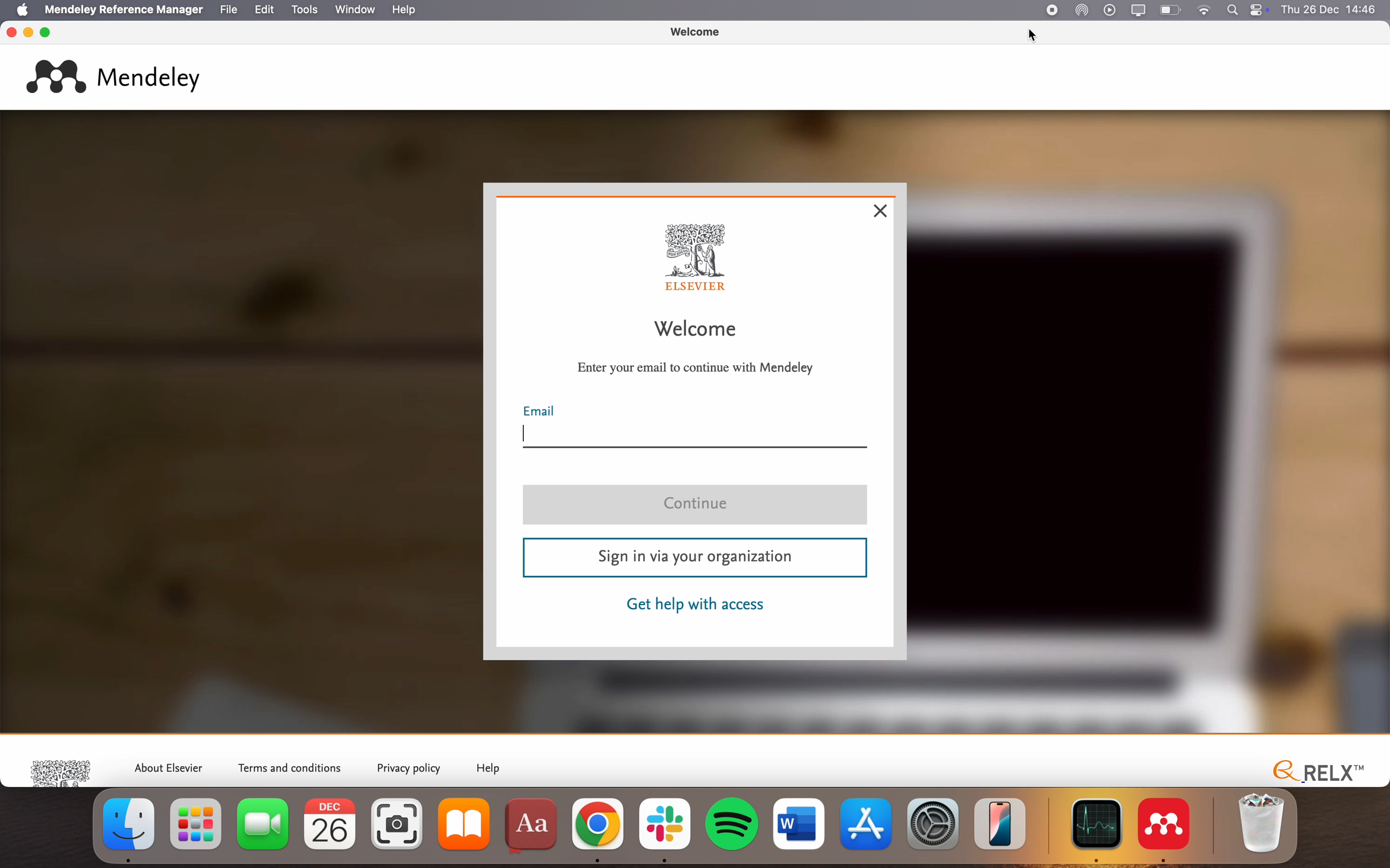 The image size is (1390, 868). Describe the element at coordinates (1169, 831) in the screenshot. I see `opened Mendeley` at that location.